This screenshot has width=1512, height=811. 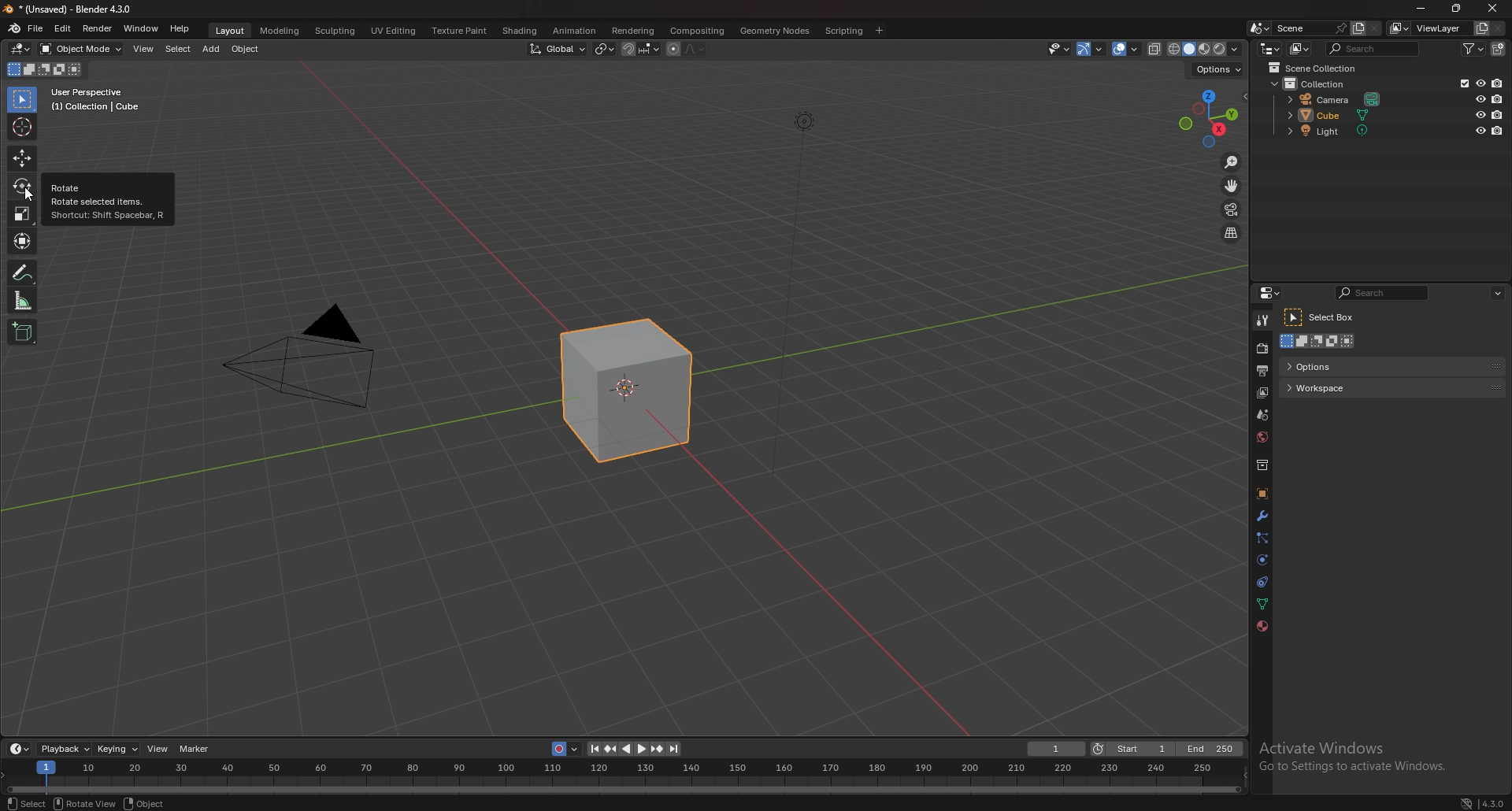 What do you see at coordinates (1317, 68) in the screenshot?
I see `scene collection` at bounding box center [1317, 68].